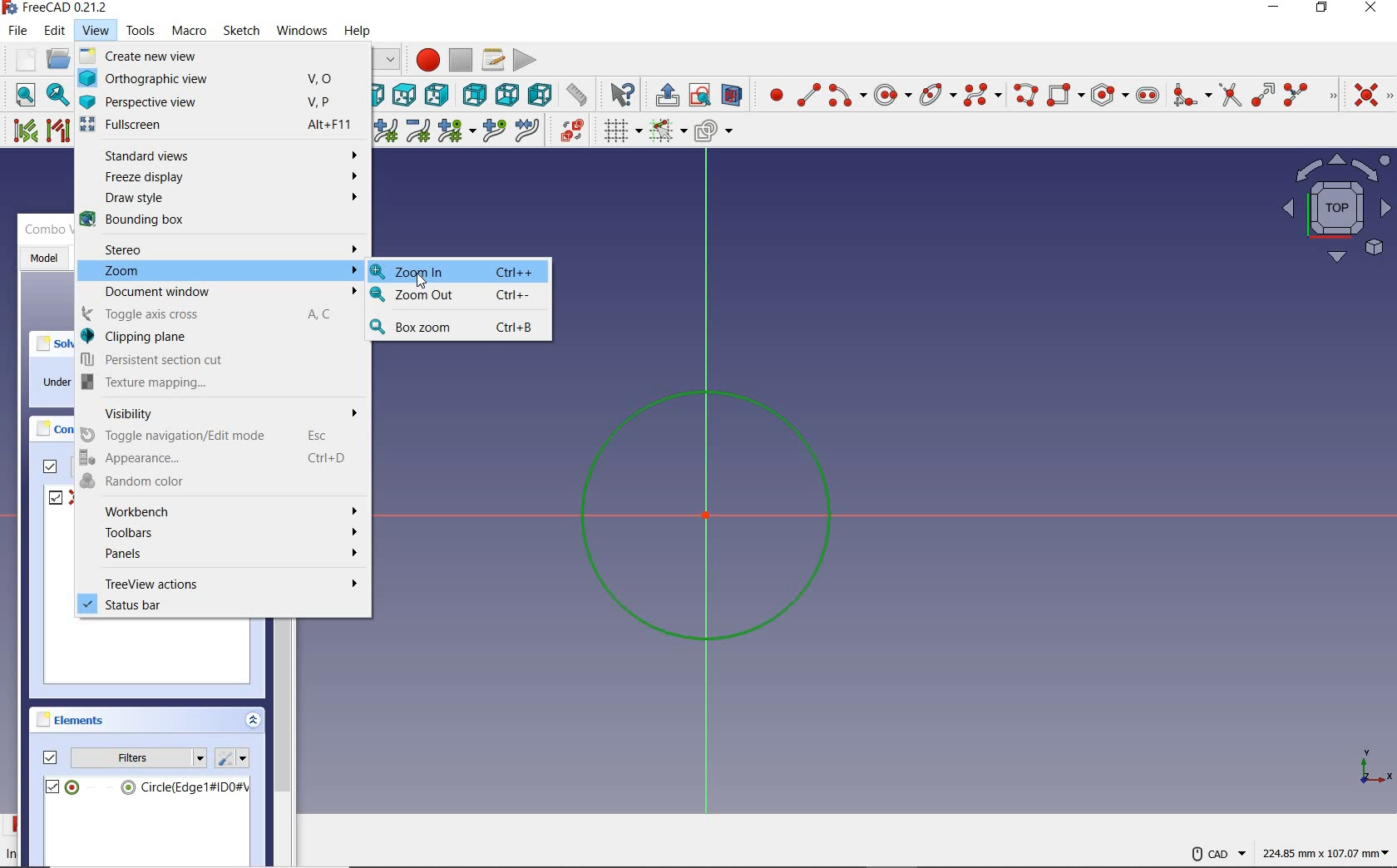 The width and height of the screenshot is (1397, 868). What do you see at coordinates (807, 96) in the screenshot?
I see `create line` at bounding box center [807, 96].